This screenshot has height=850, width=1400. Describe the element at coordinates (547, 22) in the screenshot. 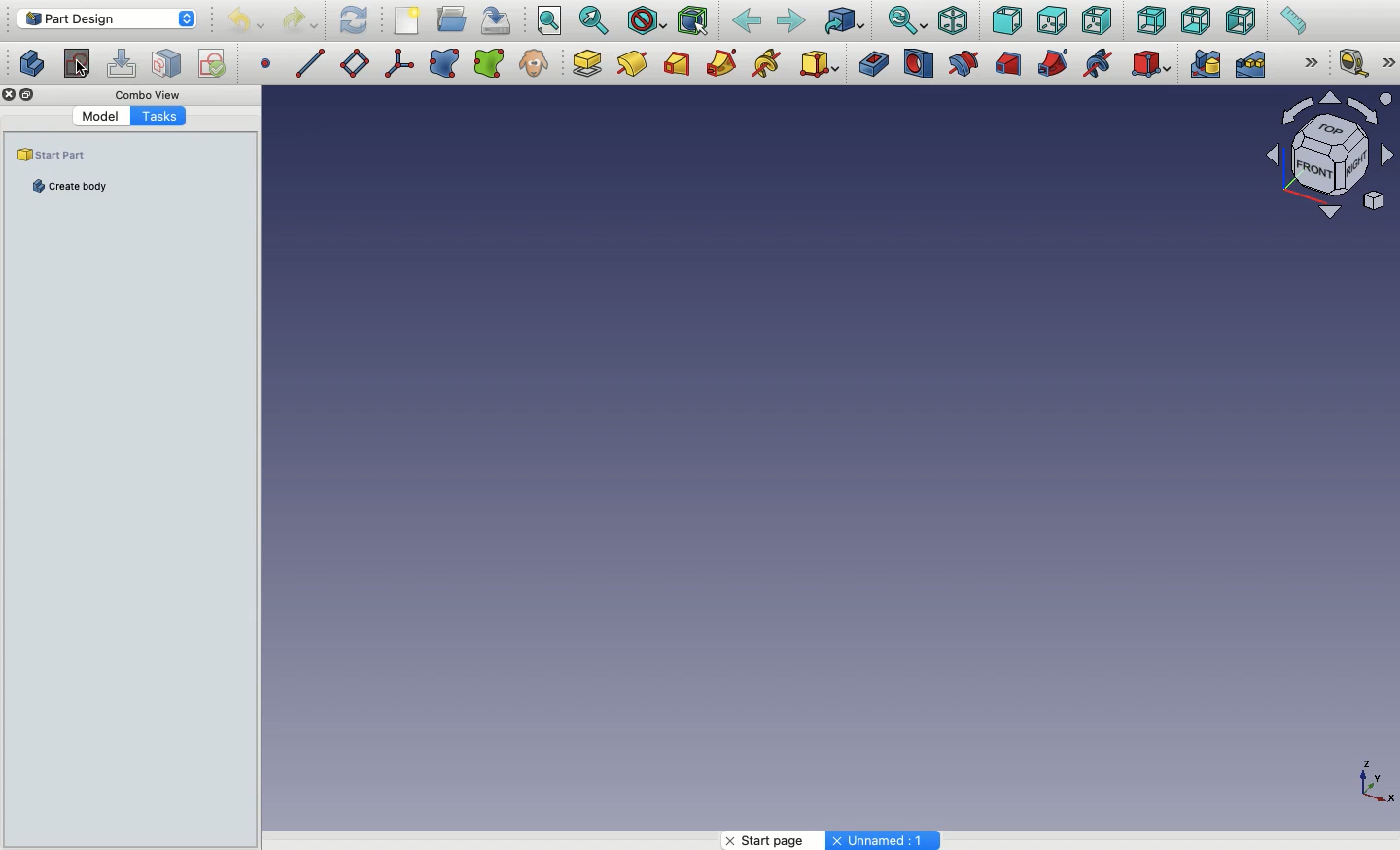

I see `Fit all` at that location.